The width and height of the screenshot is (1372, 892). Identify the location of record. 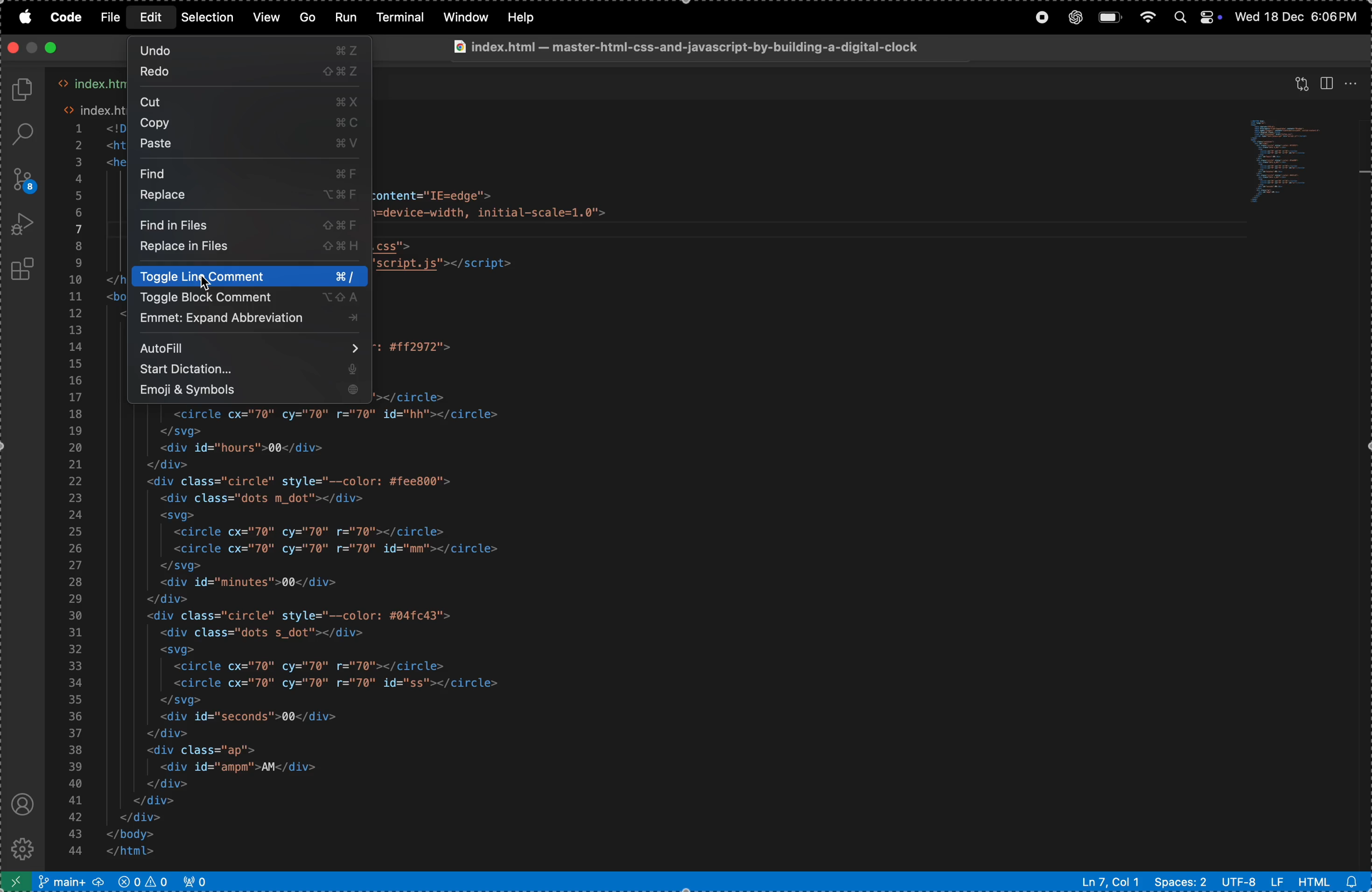
(1038, 17).